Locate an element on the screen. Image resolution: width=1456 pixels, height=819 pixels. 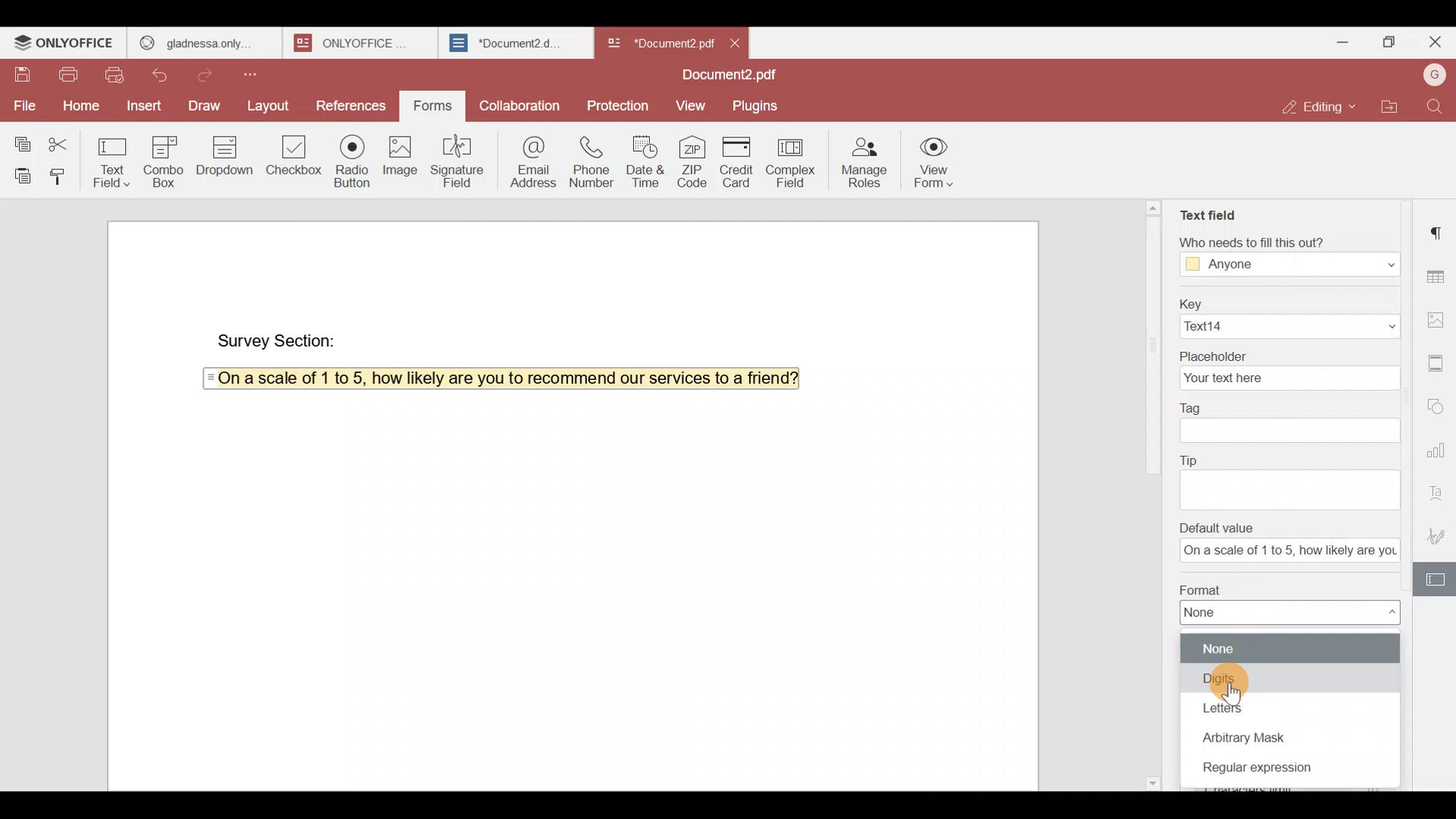
‘Who needs to fill this out? is located at coordinates (1296, 242).